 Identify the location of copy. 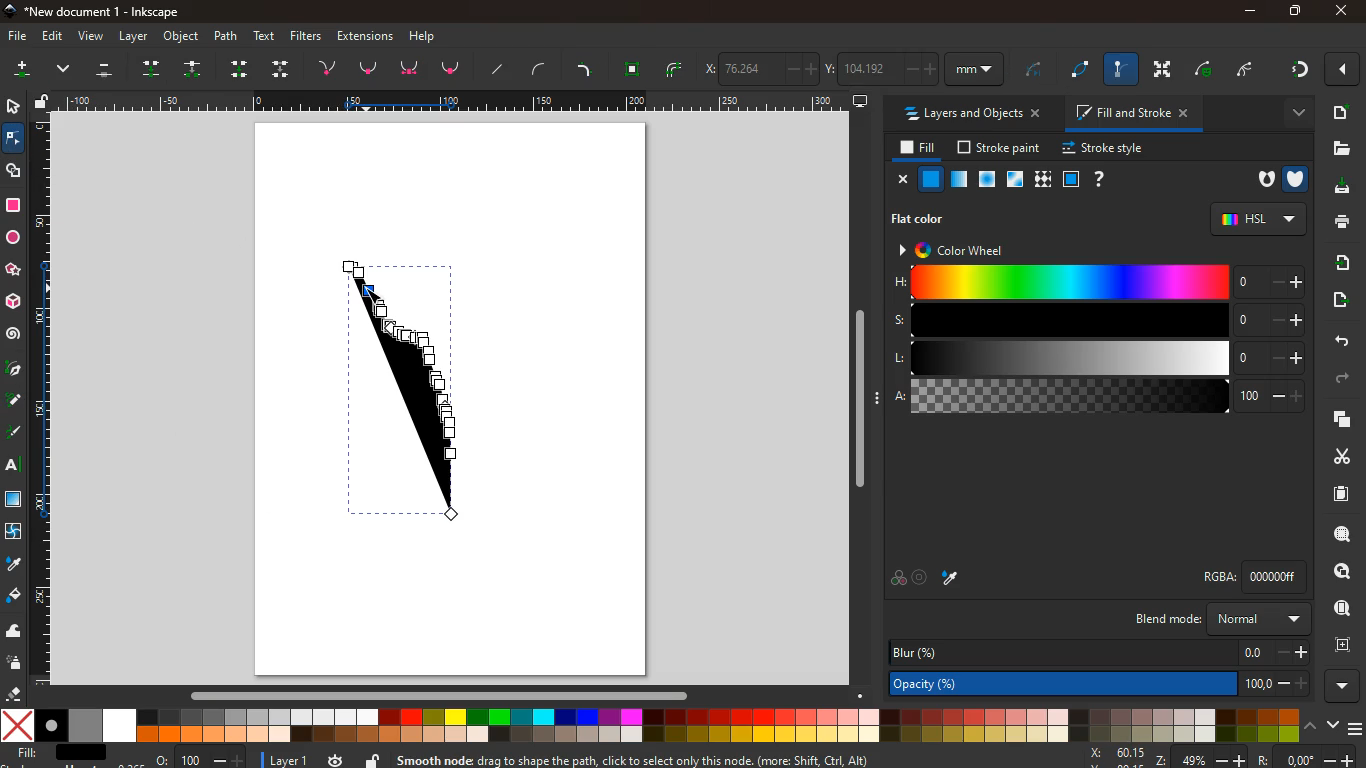
(1338, 420).